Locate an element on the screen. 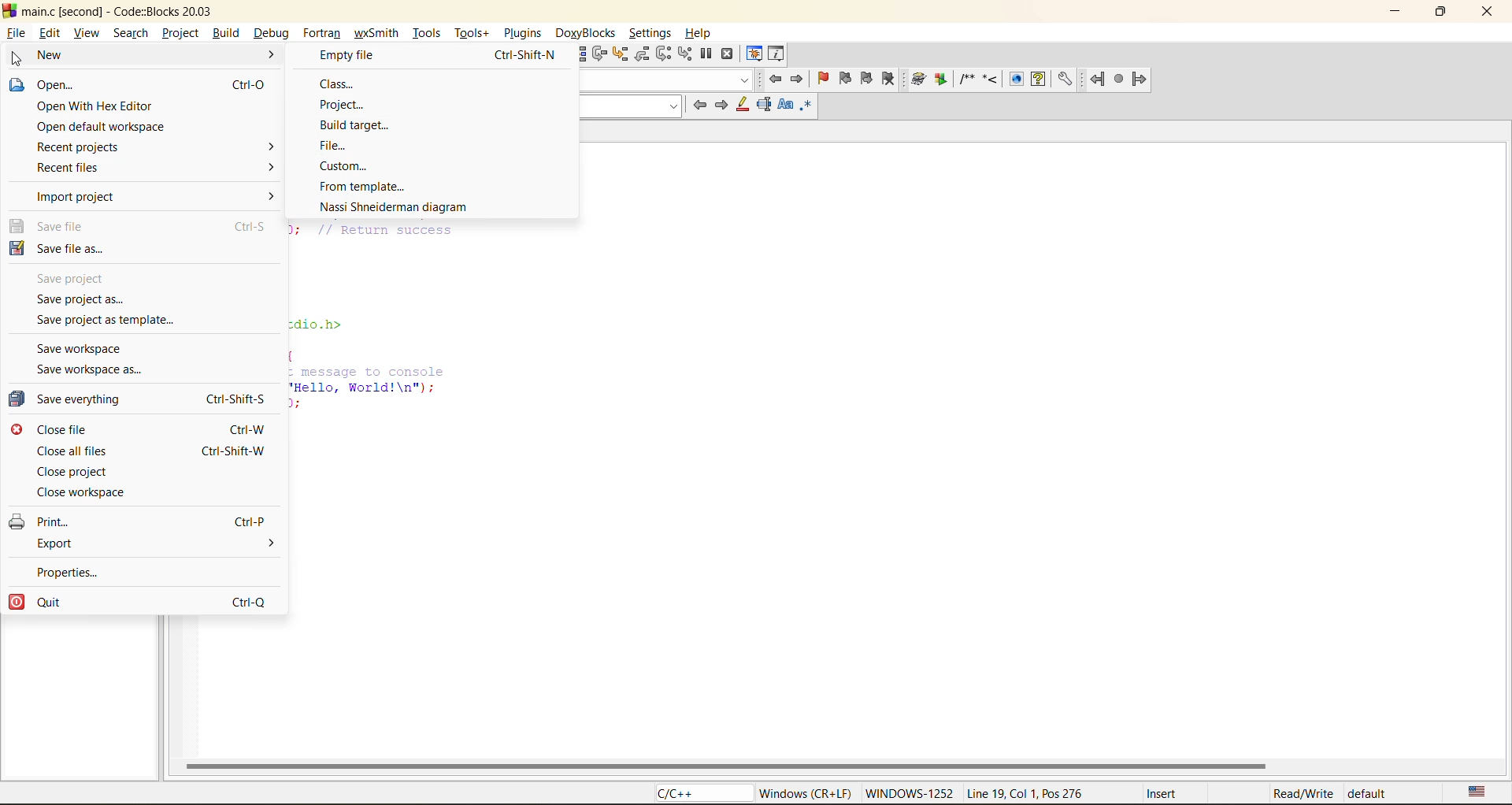 Image resolution: width=1512 pixels, height=805 pixels. doxyblocks is located at coordinates (589, 32).